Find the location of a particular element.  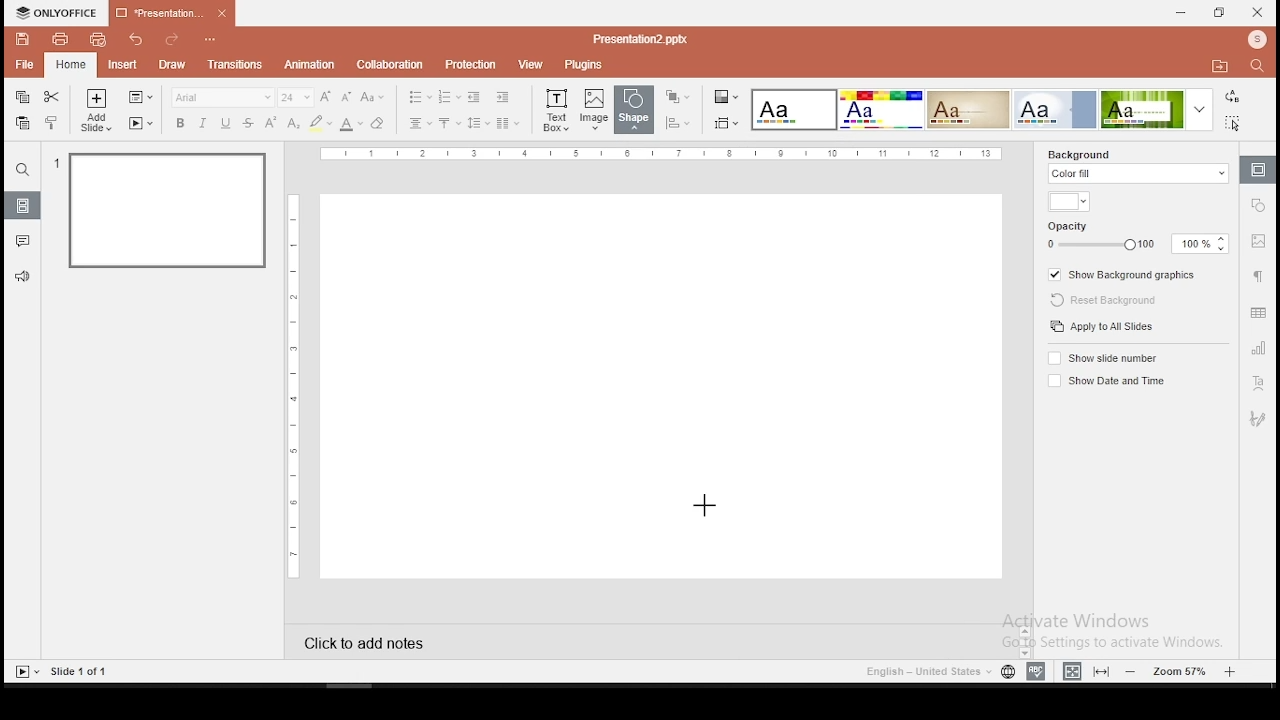

font is located at coordinates (222, 97).